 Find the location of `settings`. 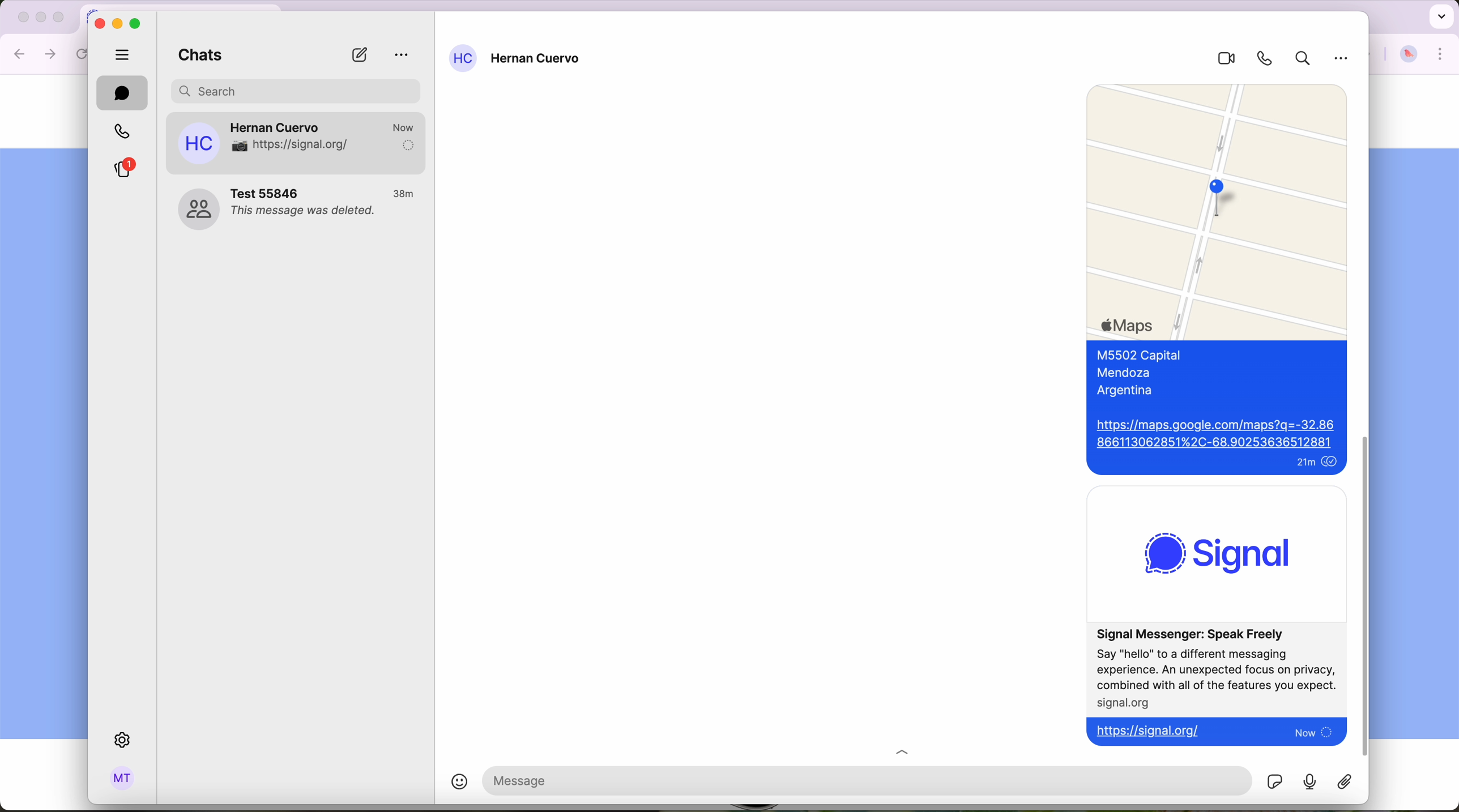

settings is located at coordinates (125, 741).